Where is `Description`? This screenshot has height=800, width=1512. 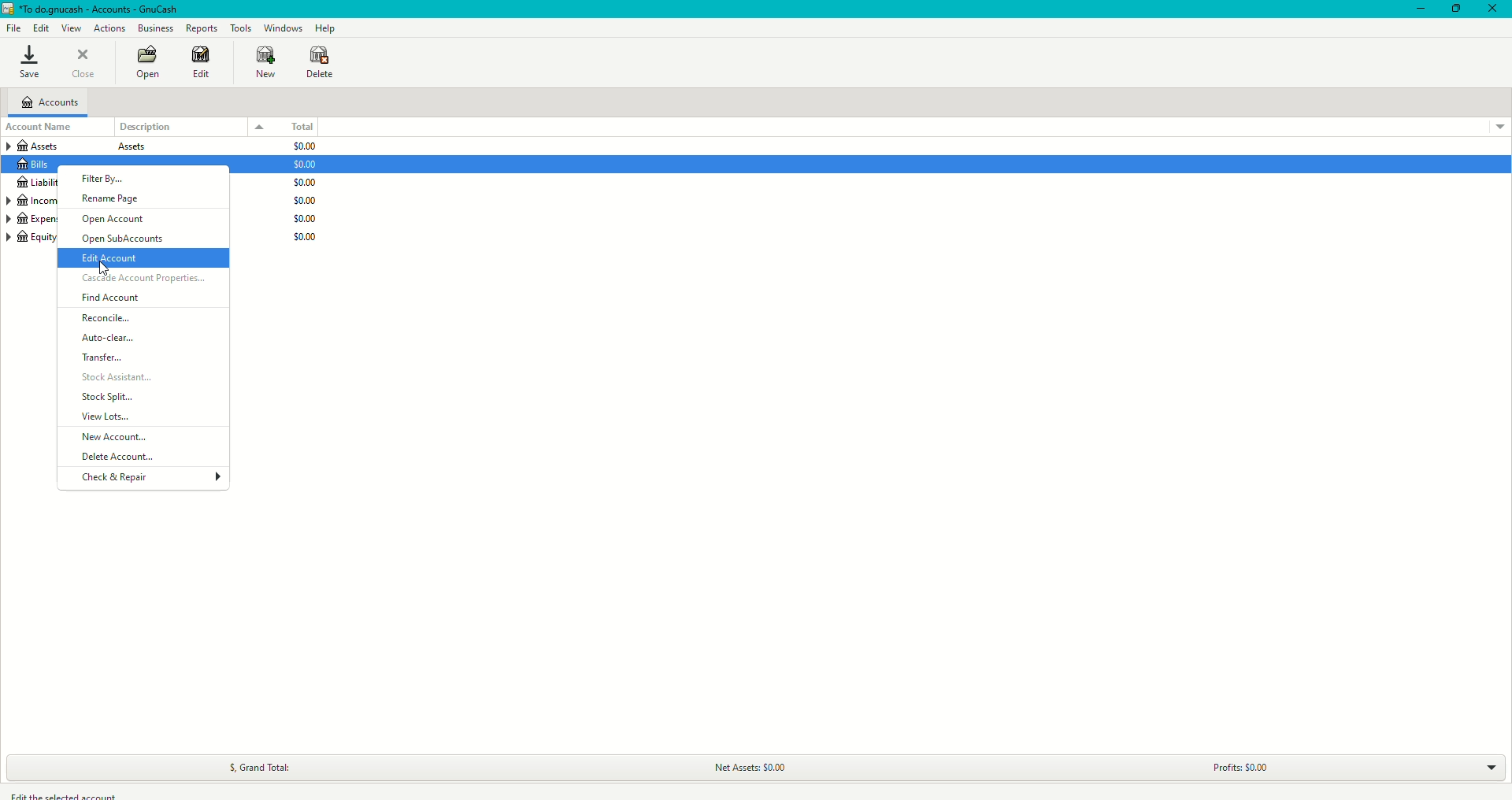 Description is located at coordinates (192, 127).